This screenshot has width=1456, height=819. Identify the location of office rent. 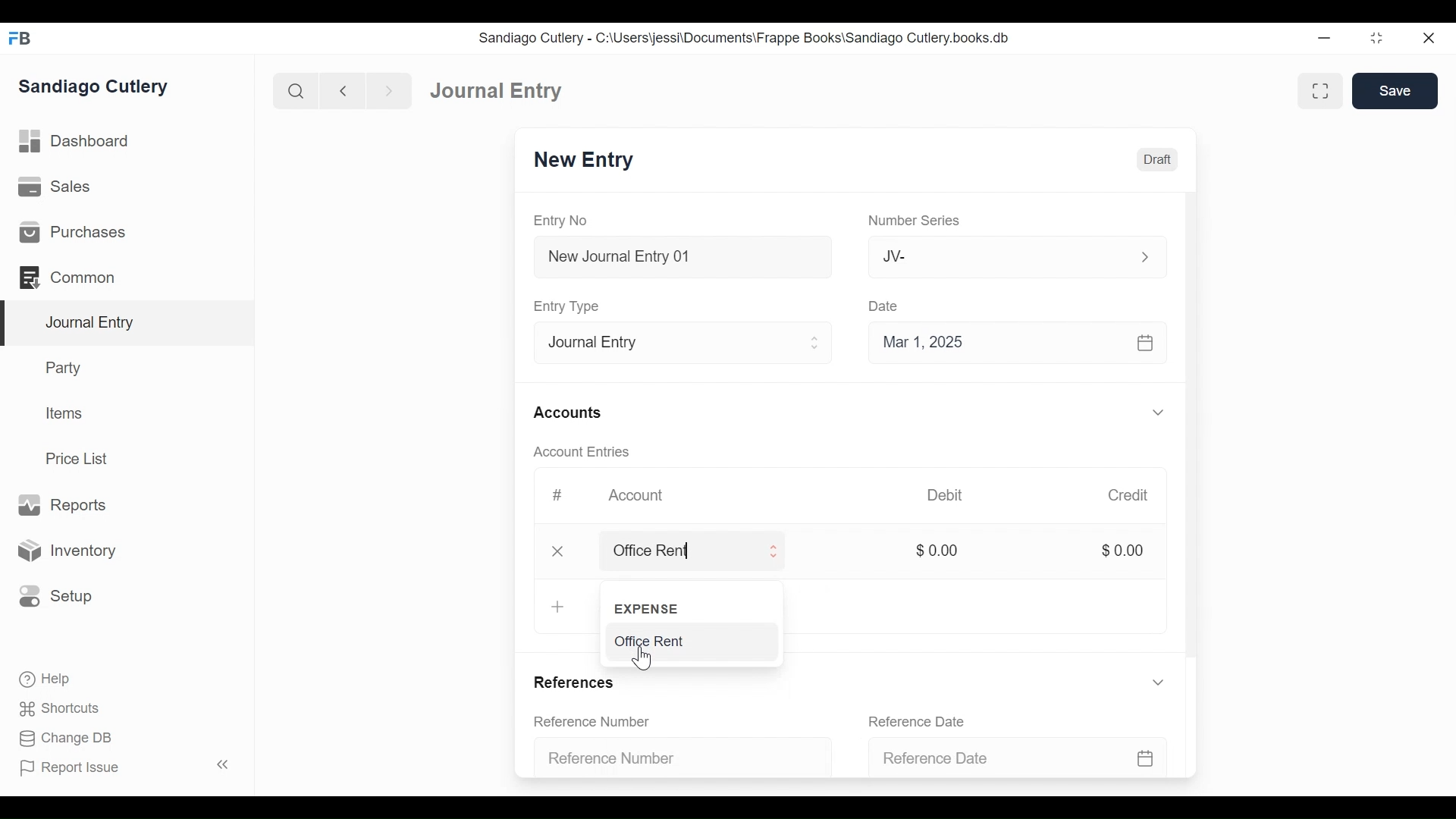
(708, 551).